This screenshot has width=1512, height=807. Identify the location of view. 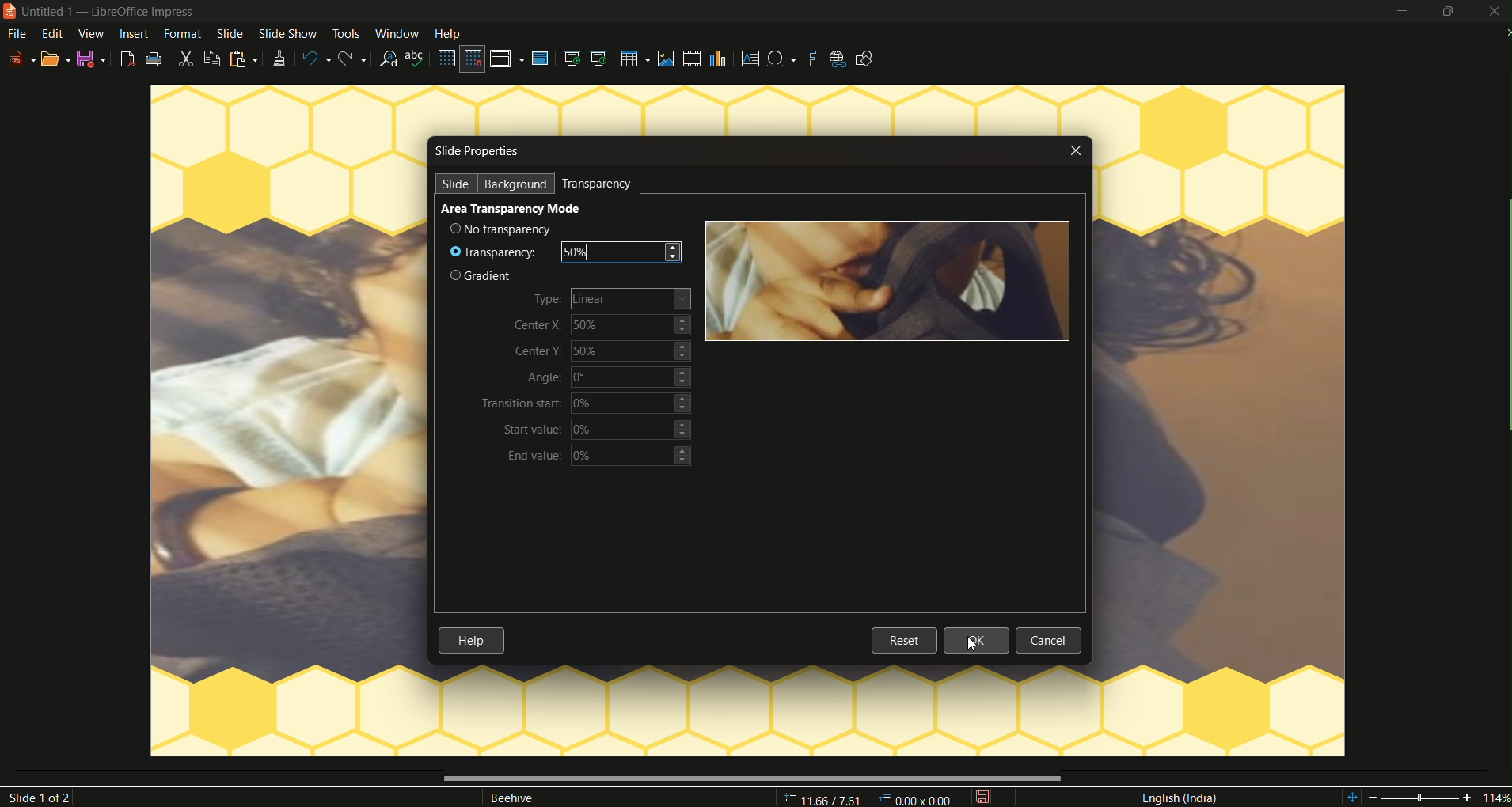
(92, 34).